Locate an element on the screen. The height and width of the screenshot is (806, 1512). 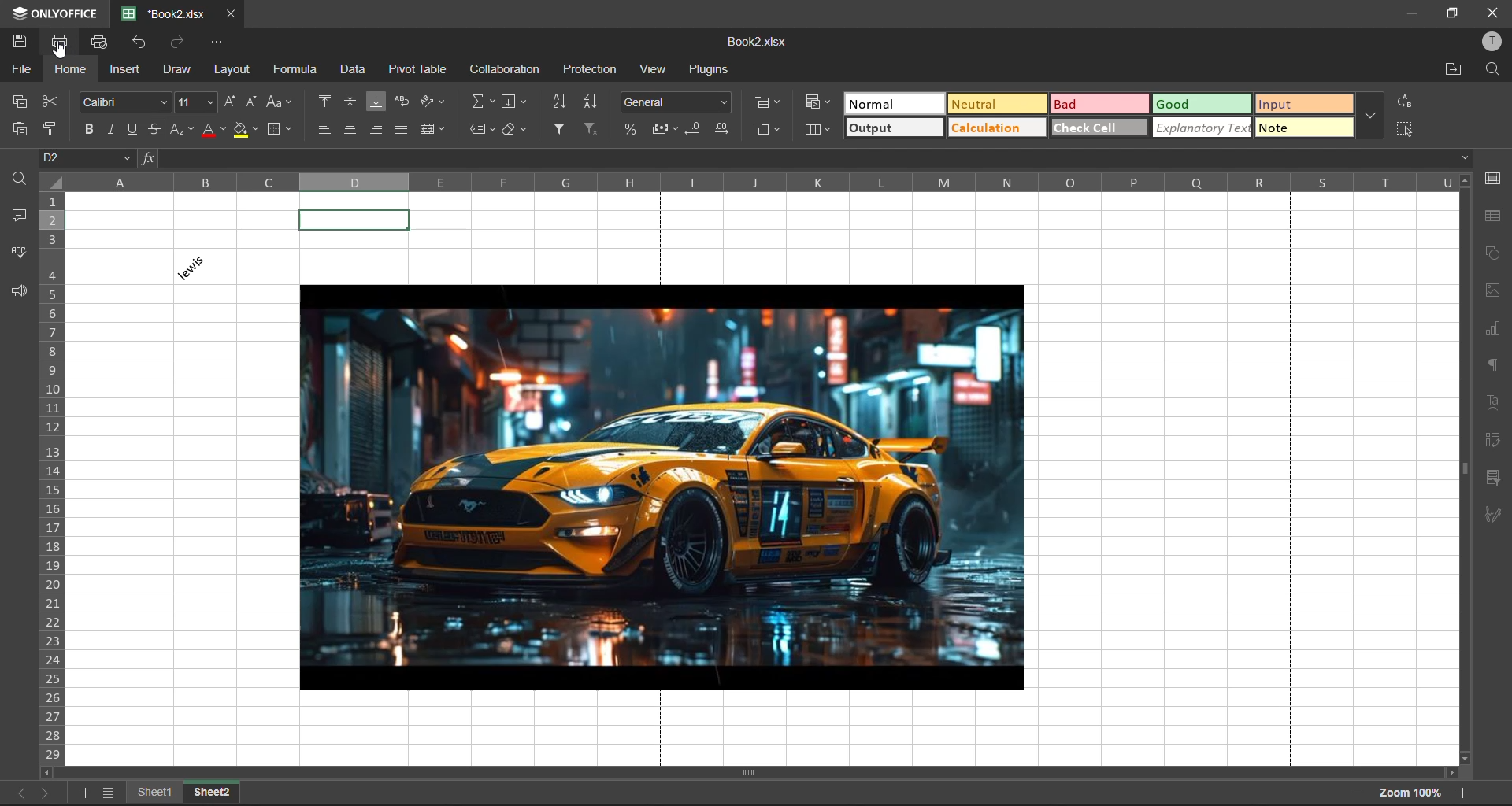
font color is located at coordinates (215, 131).